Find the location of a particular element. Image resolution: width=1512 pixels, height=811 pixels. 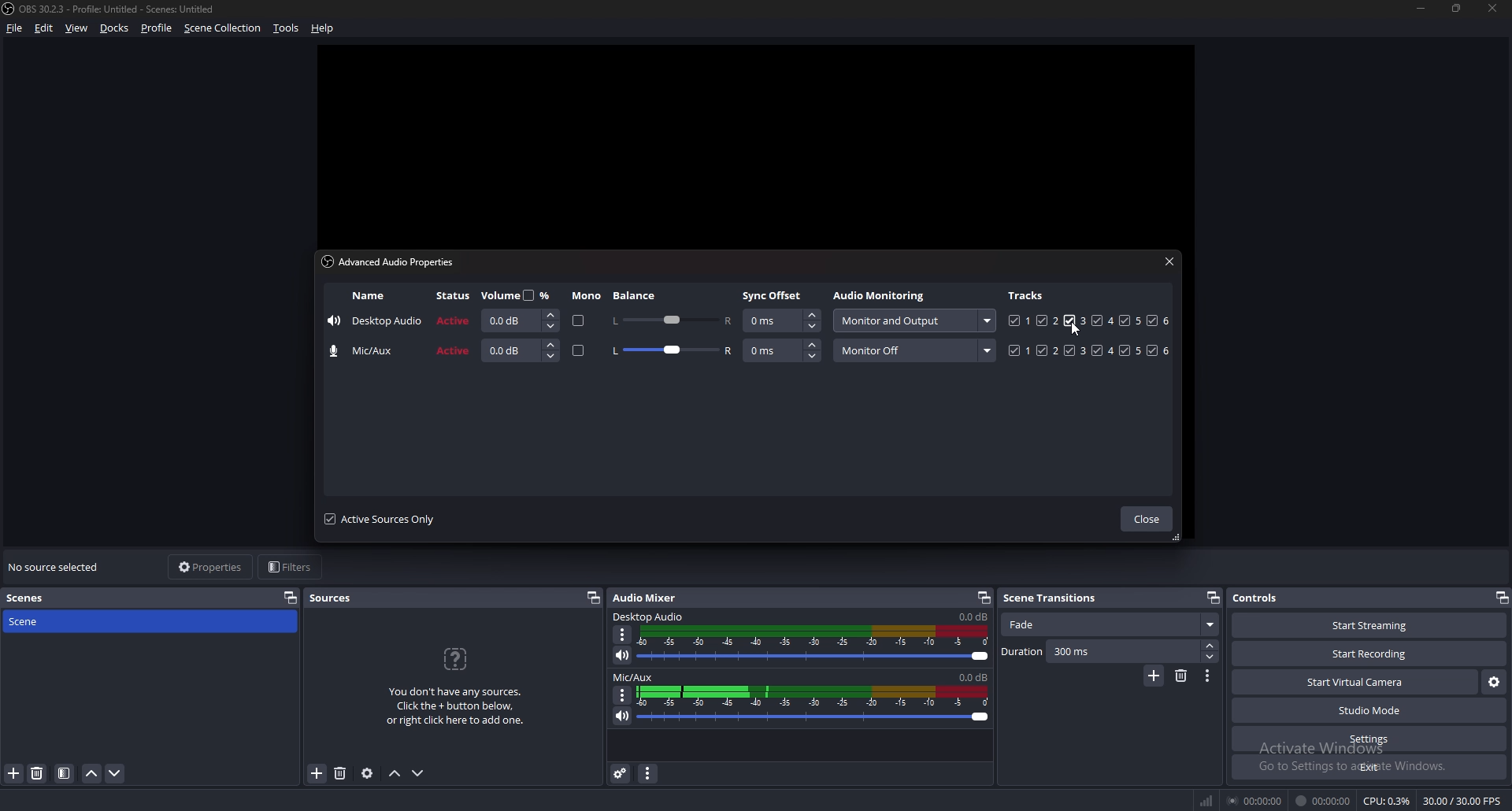

volume input is located at coordinates (517, 320).